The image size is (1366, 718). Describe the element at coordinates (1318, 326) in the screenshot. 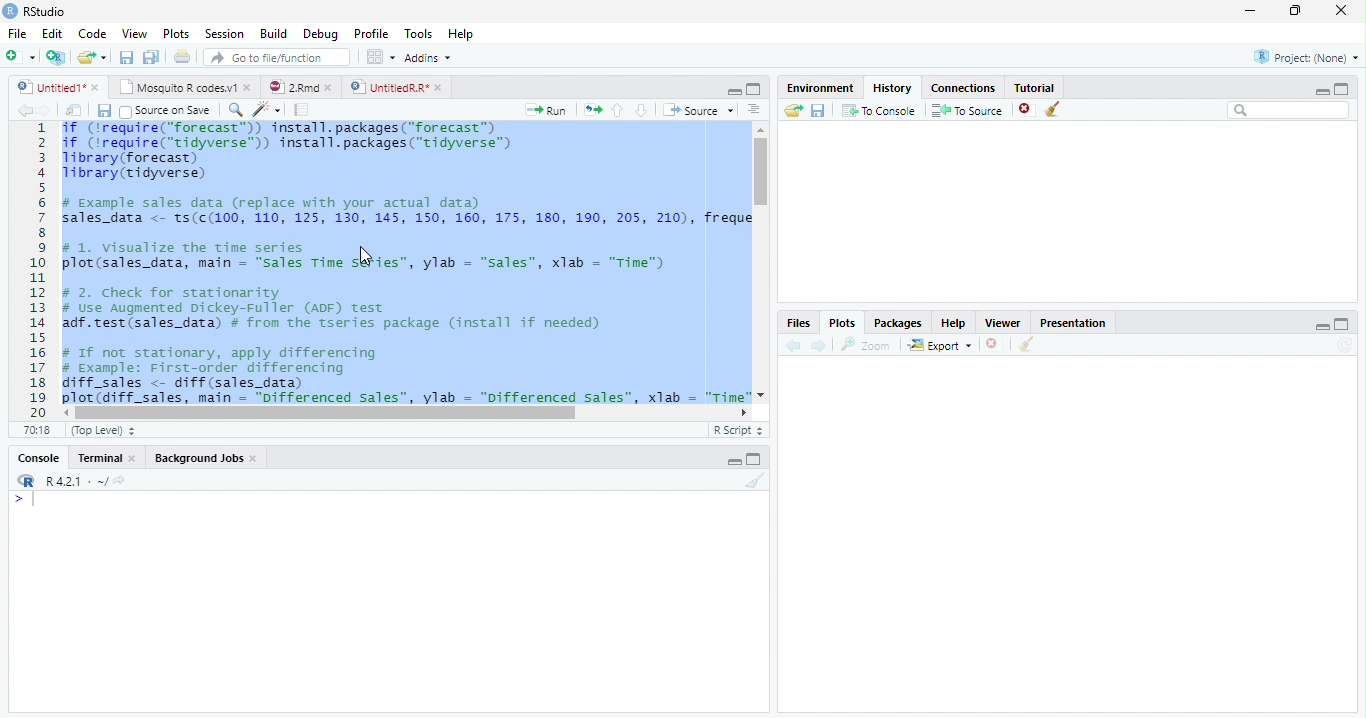

I see `Minimize` at that location.